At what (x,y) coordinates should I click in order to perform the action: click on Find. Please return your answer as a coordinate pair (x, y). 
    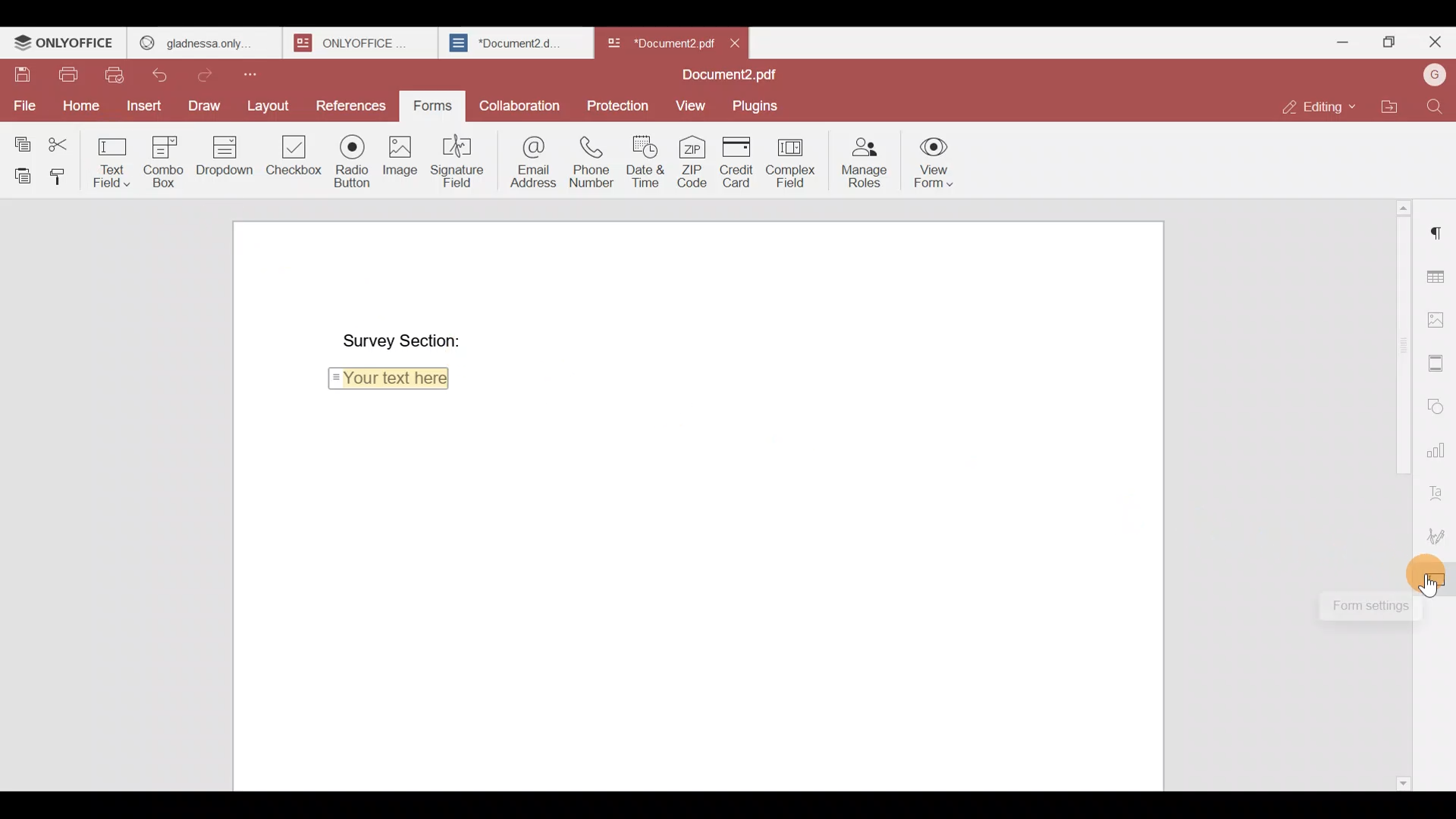
    Looking at the image, I should click on (1439, 107).